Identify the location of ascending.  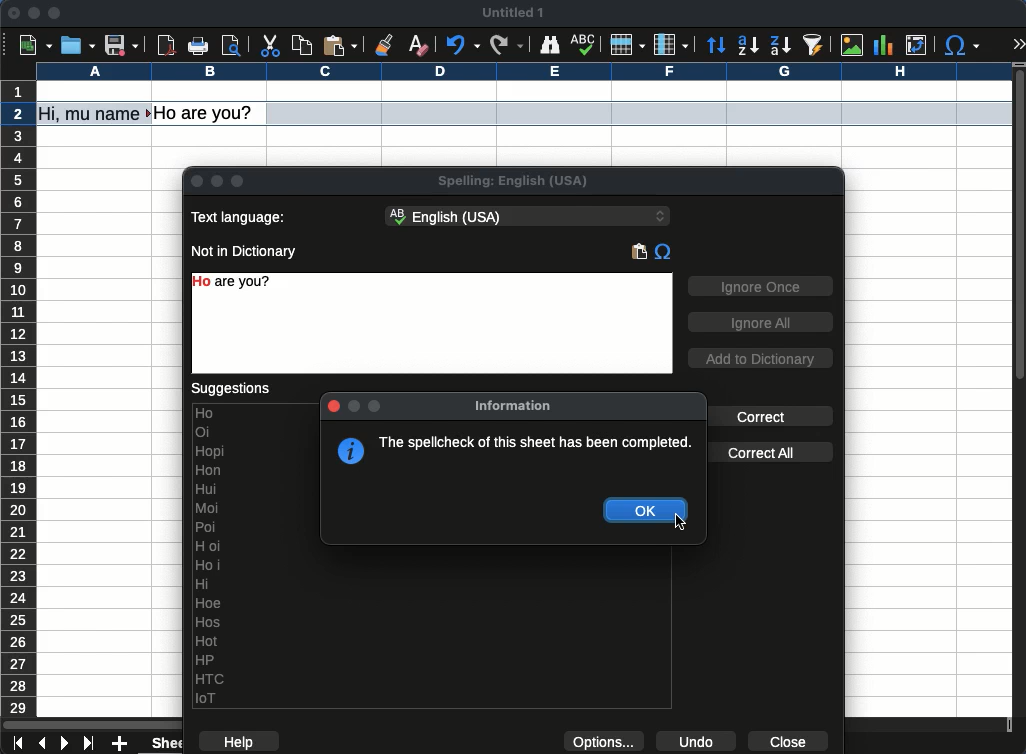
(748, 45).